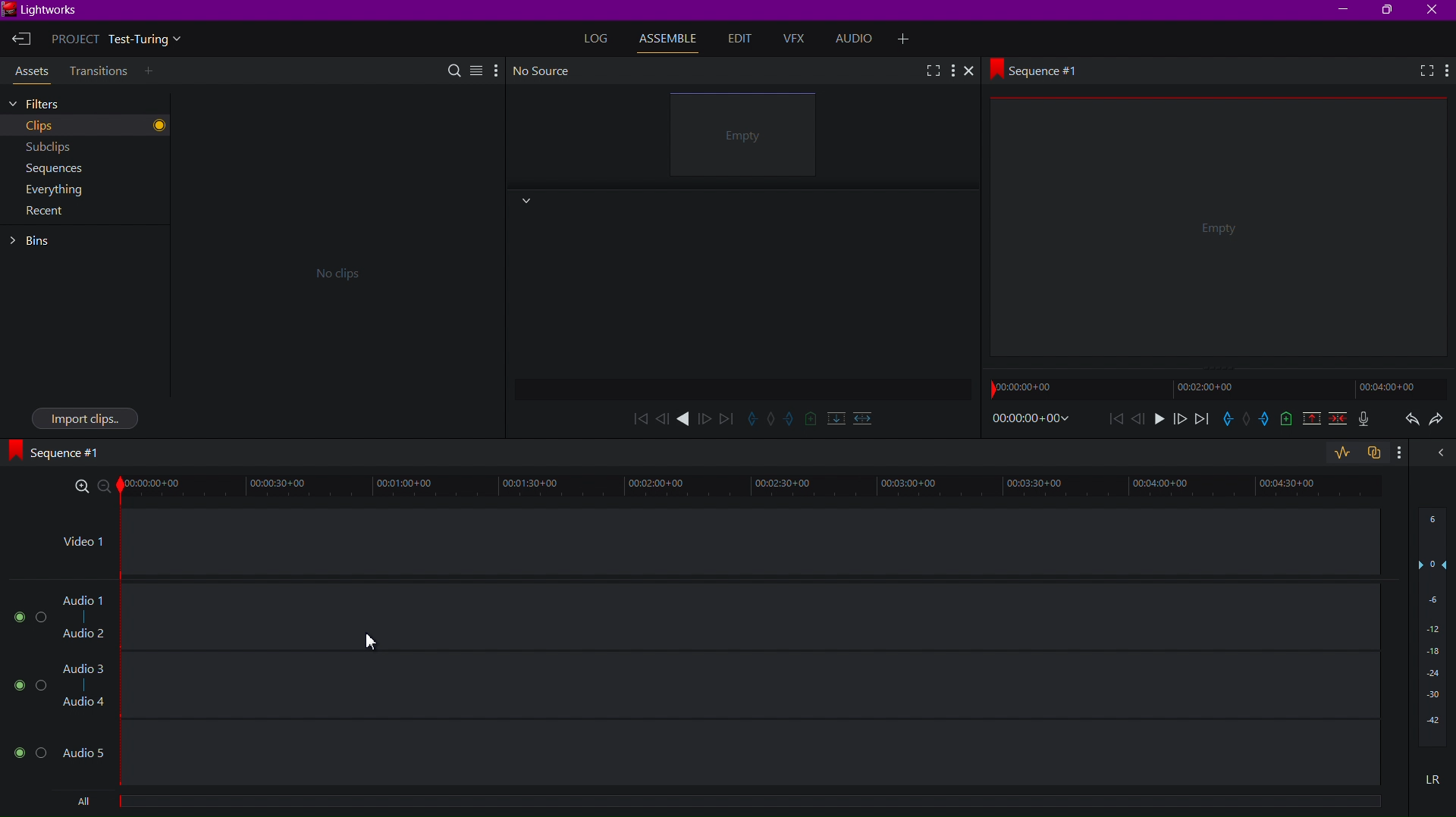  I want to click on Buttons, so click(23, 617).